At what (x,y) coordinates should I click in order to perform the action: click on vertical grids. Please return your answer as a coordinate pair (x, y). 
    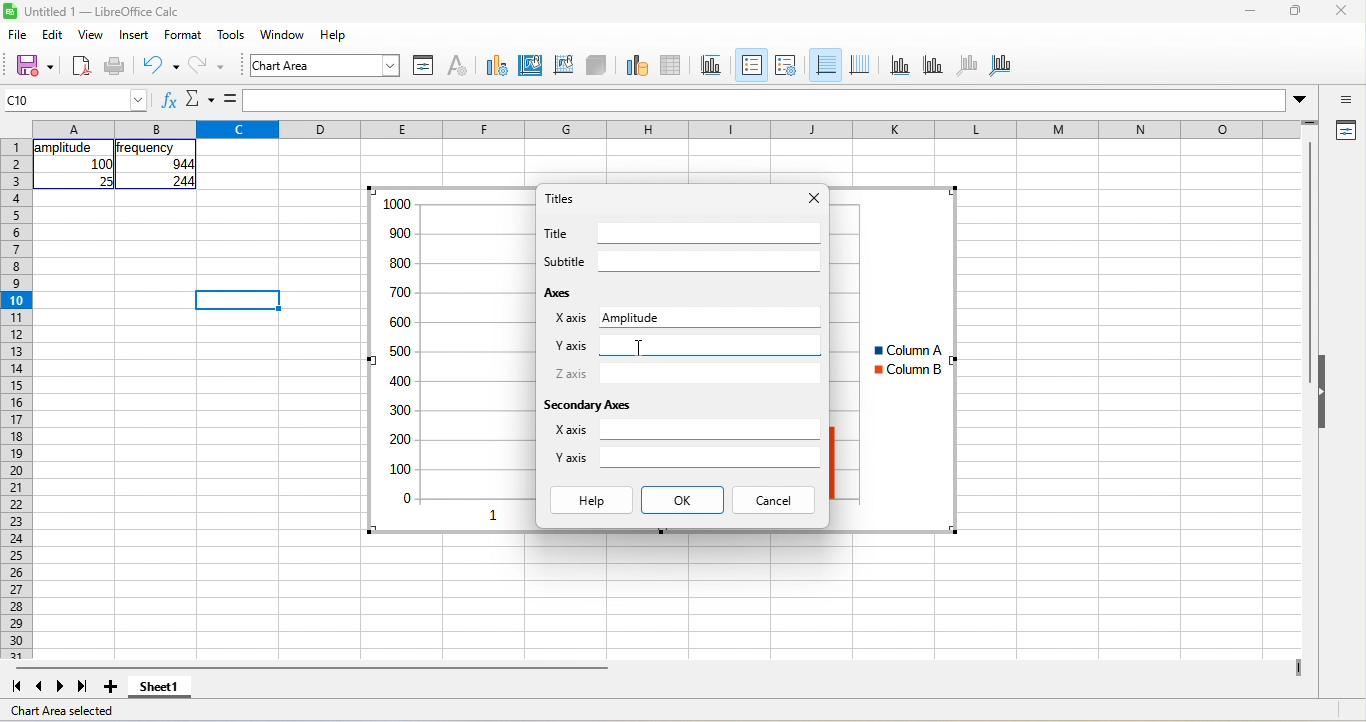
    Looking at the image, I should click on (860, 66).